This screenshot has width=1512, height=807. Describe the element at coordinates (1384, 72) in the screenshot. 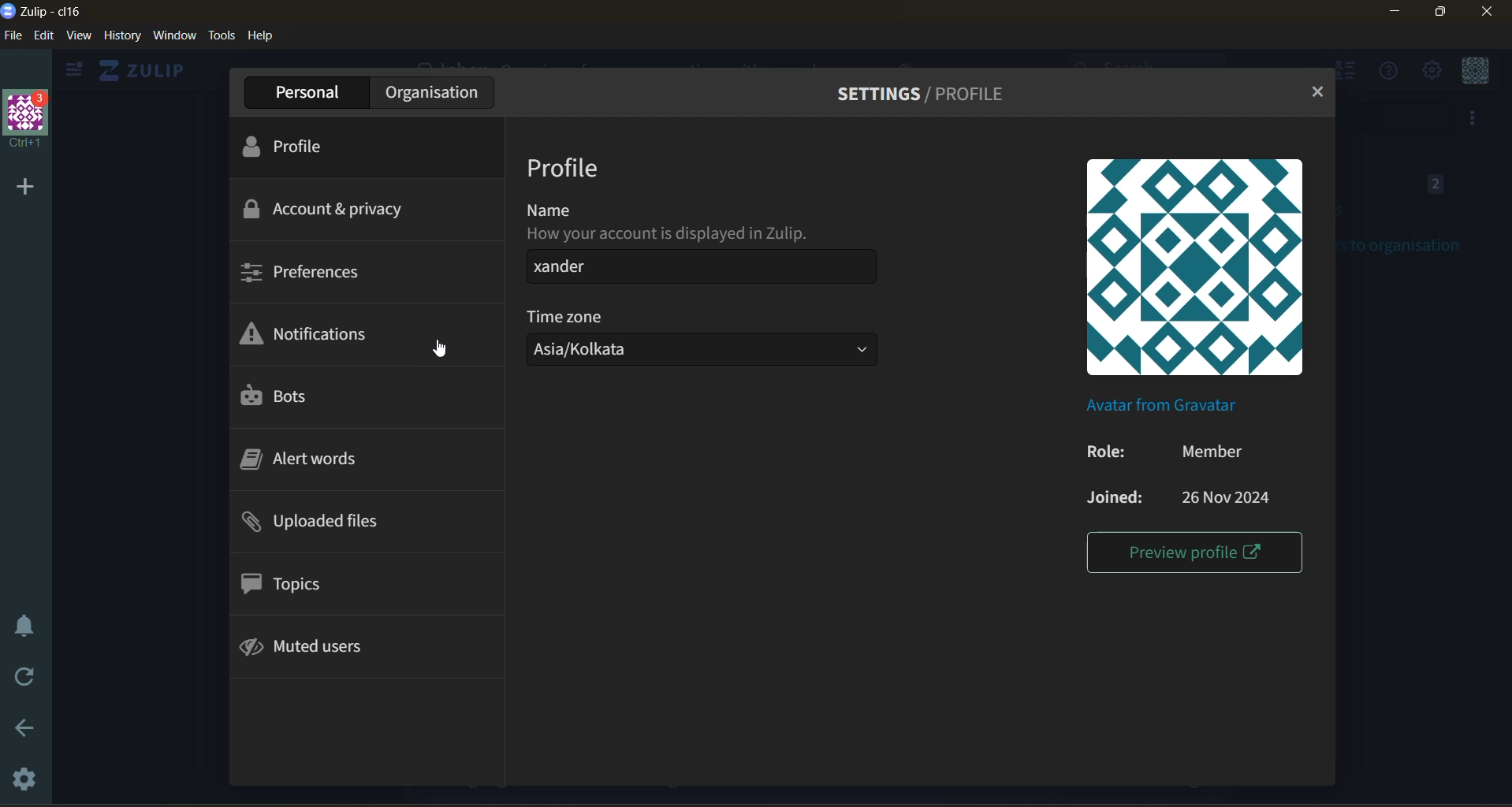

I see `help menu` at that location.